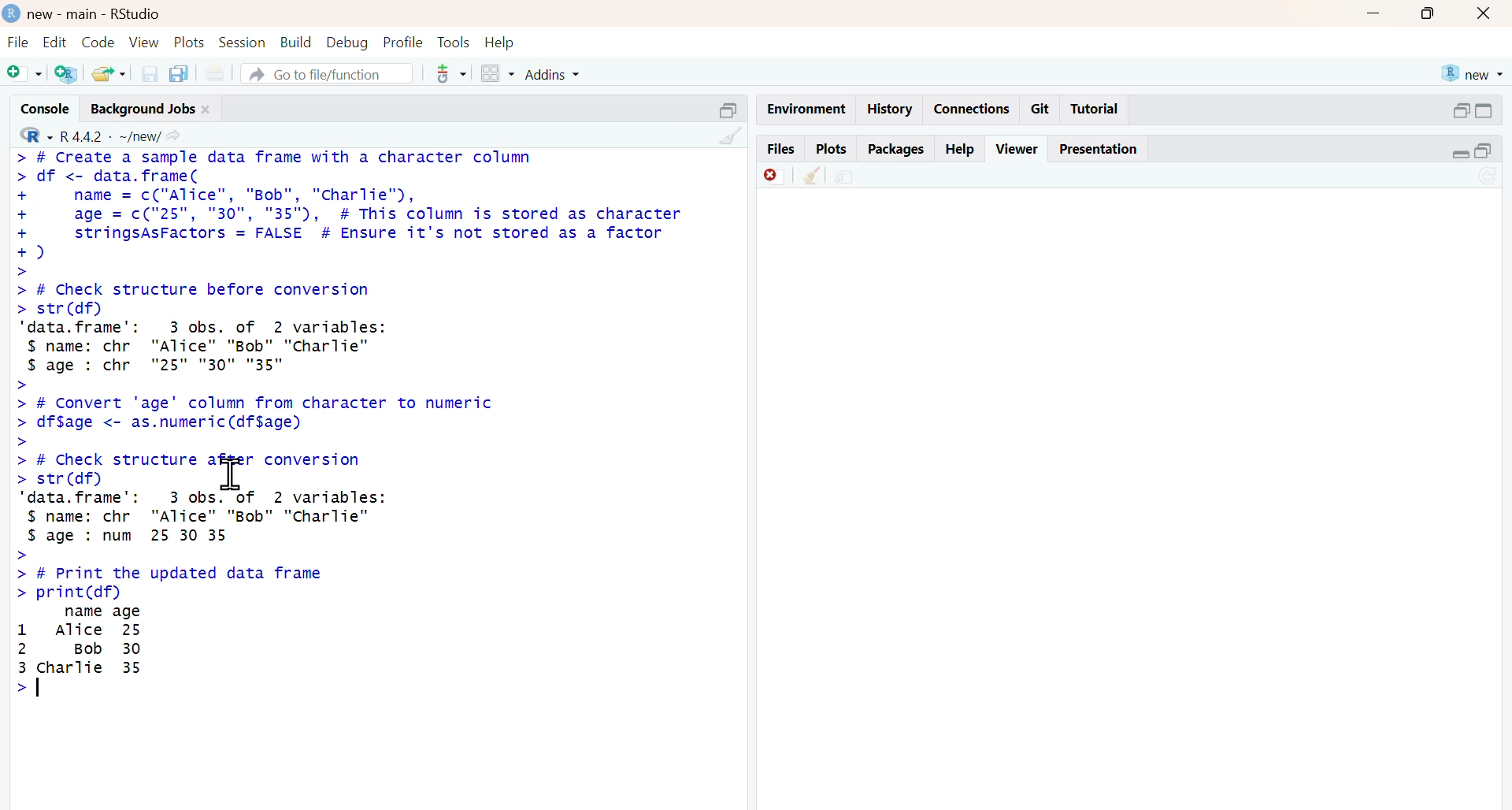 The width and height of the screenshot is (1512, 810). Describe the element at coordinates (1095, 108) in the screenshot. I see `Tutorial ` at that location.